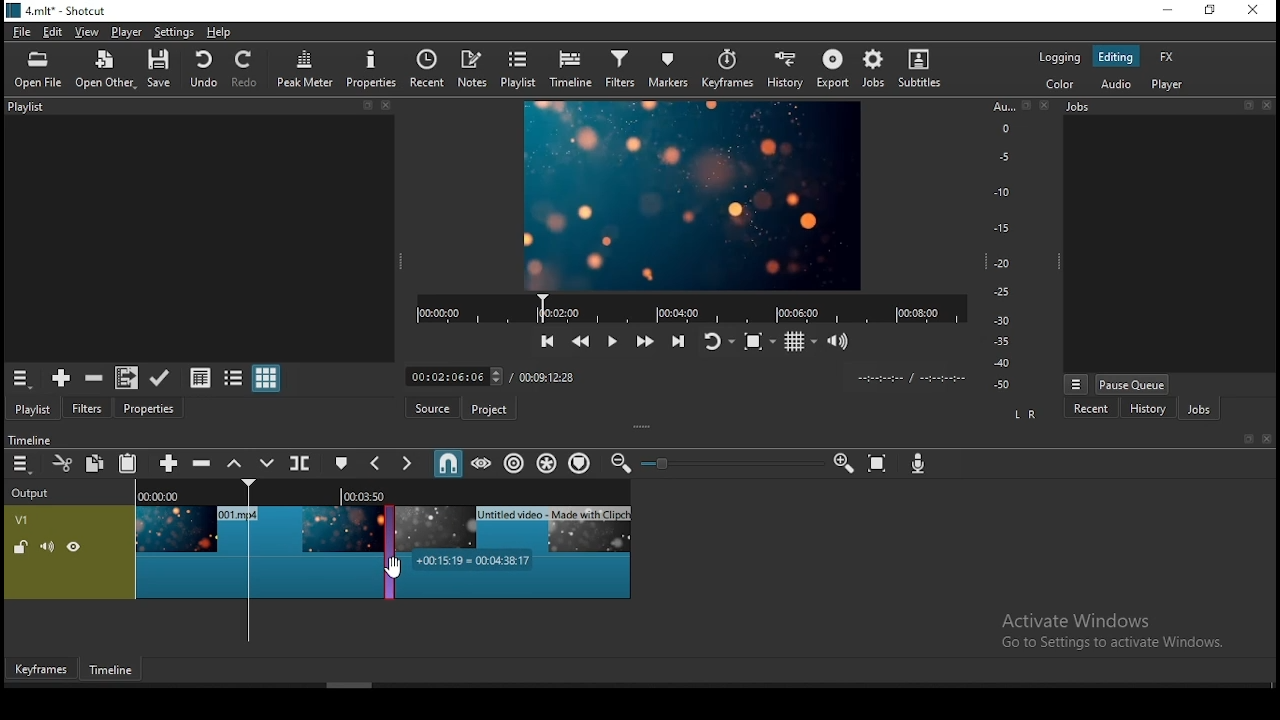 This screenshot has width=1280, height=720. What do you see at coordinates (546, 340) in the screenshot?
I see `skip to the previous point` at bounding box center [546, 340].